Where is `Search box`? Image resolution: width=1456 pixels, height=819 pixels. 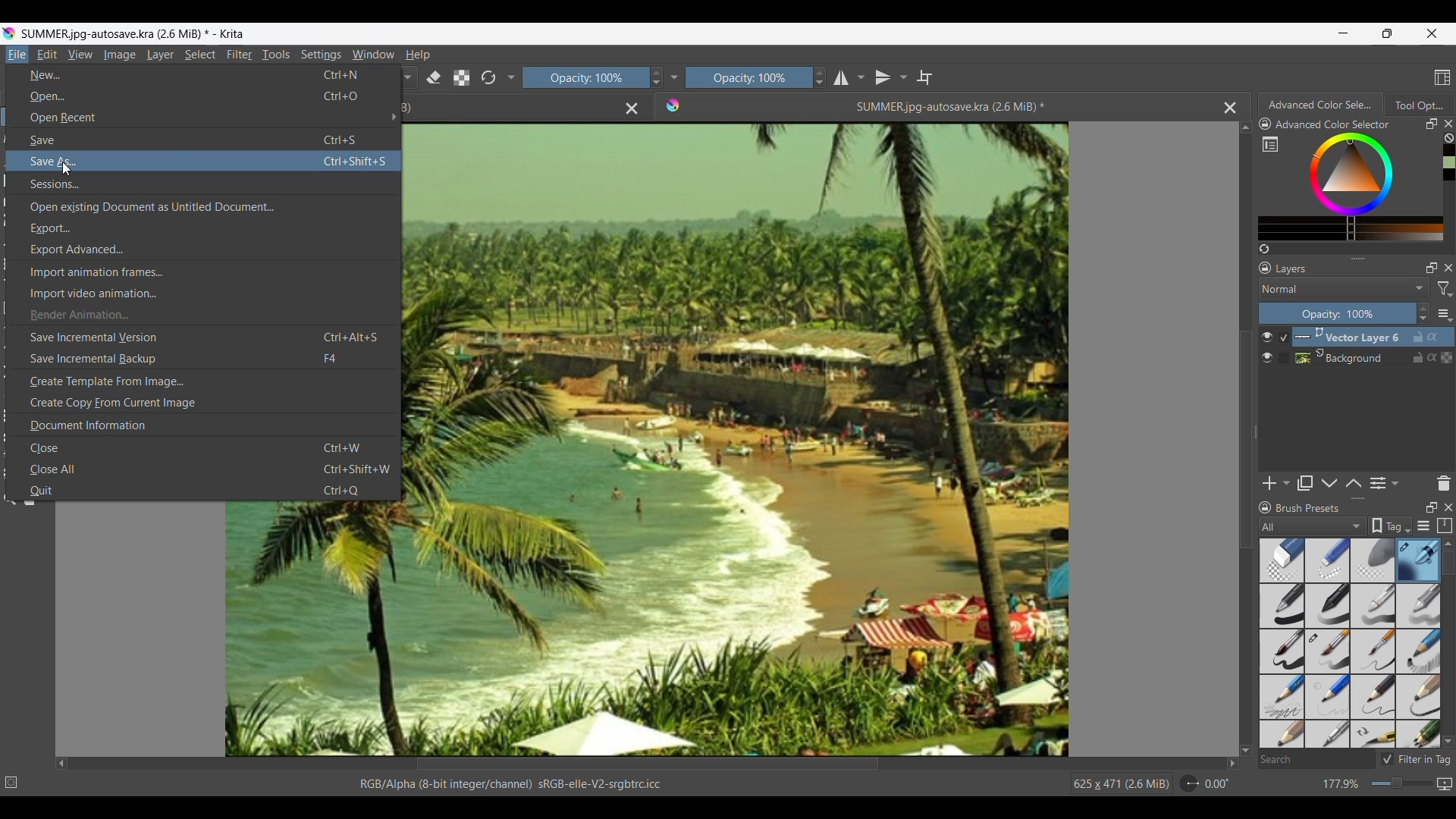 Search box is located at coordinates (1316, 759).